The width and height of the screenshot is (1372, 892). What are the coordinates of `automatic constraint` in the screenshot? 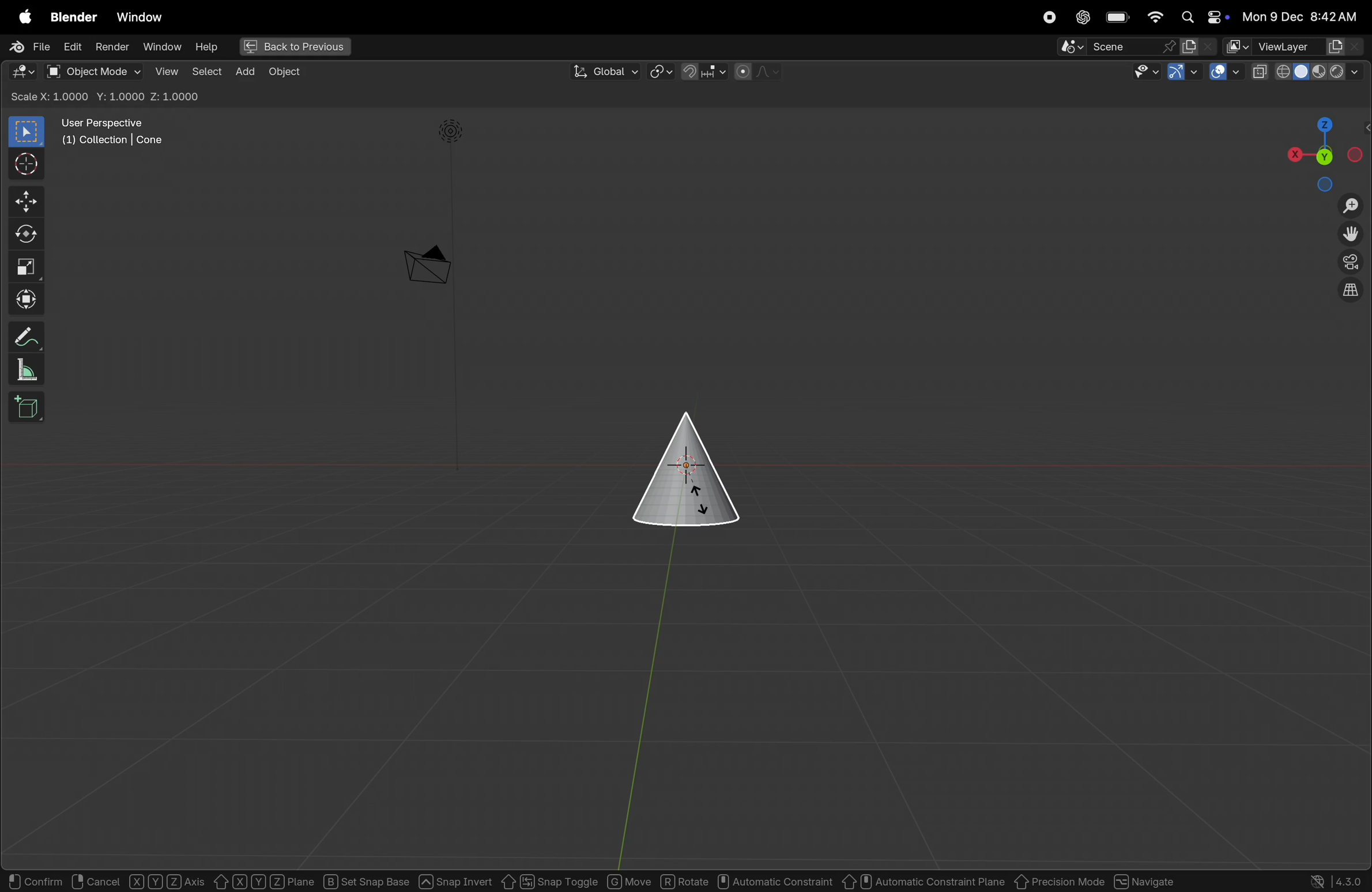 It's located at (776, 880).